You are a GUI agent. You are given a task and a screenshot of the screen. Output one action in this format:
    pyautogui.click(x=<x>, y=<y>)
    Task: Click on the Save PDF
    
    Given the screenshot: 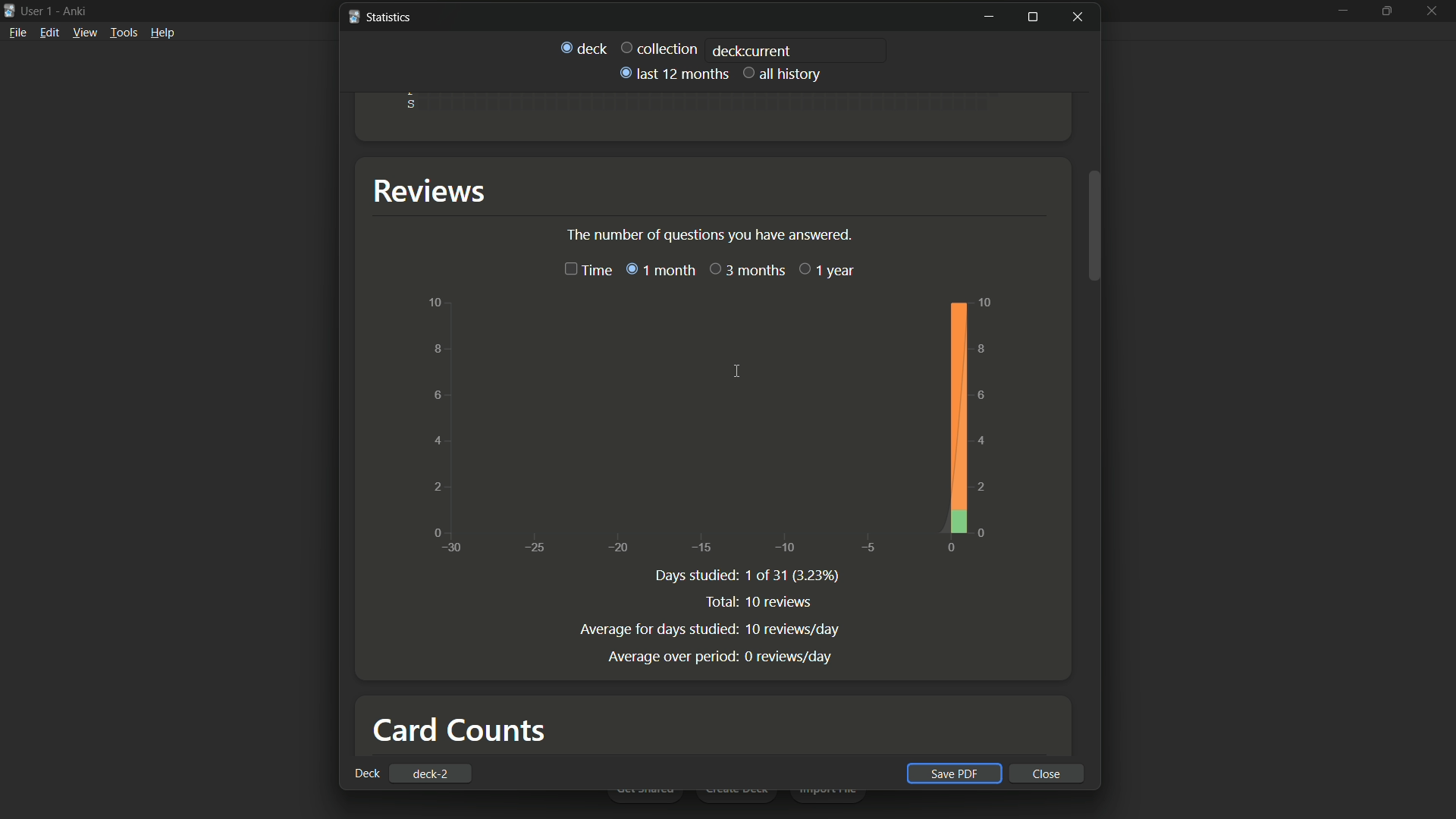 What is the action you would take?
    pyautogui.click(x=957, y=773)
    